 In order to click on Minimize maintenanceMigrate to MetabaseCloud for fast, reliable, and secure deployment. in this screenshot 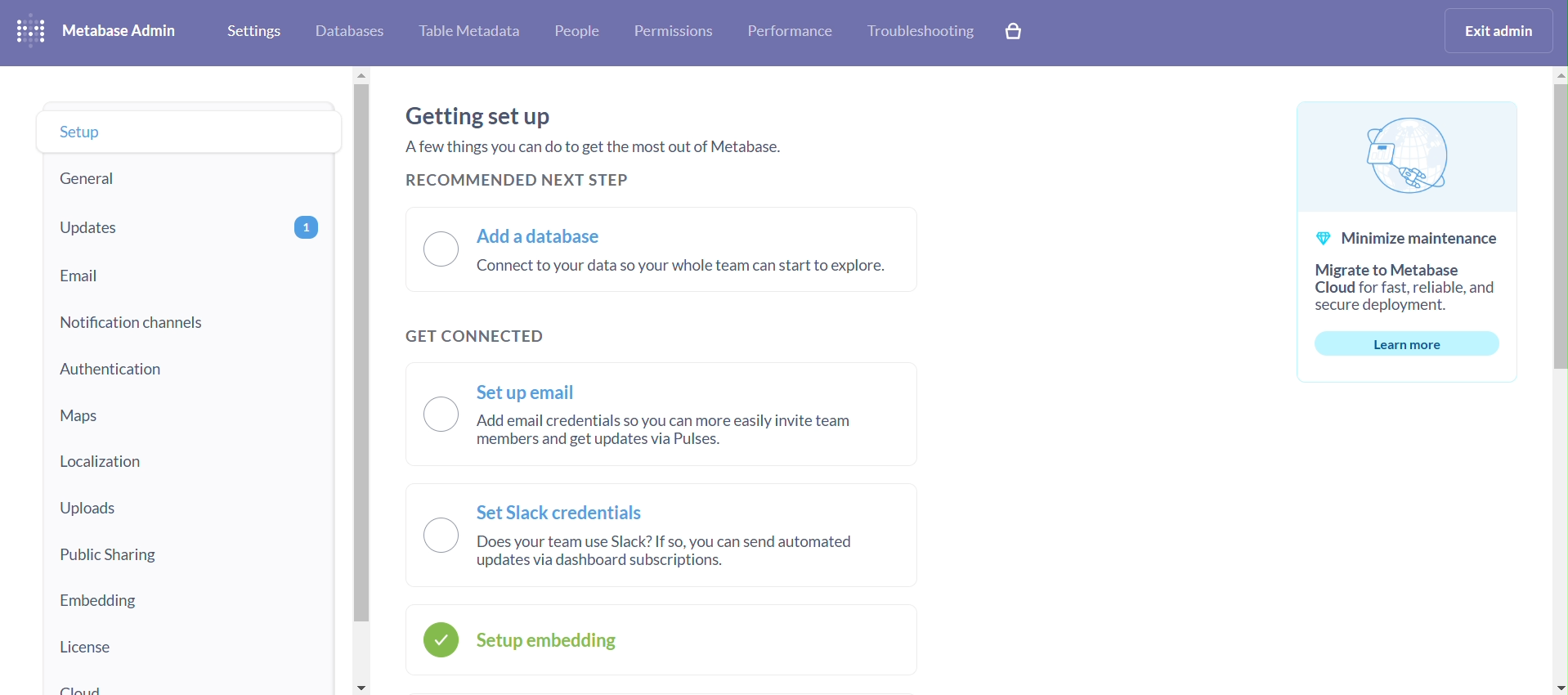, I will do `click(1409, 266)`.